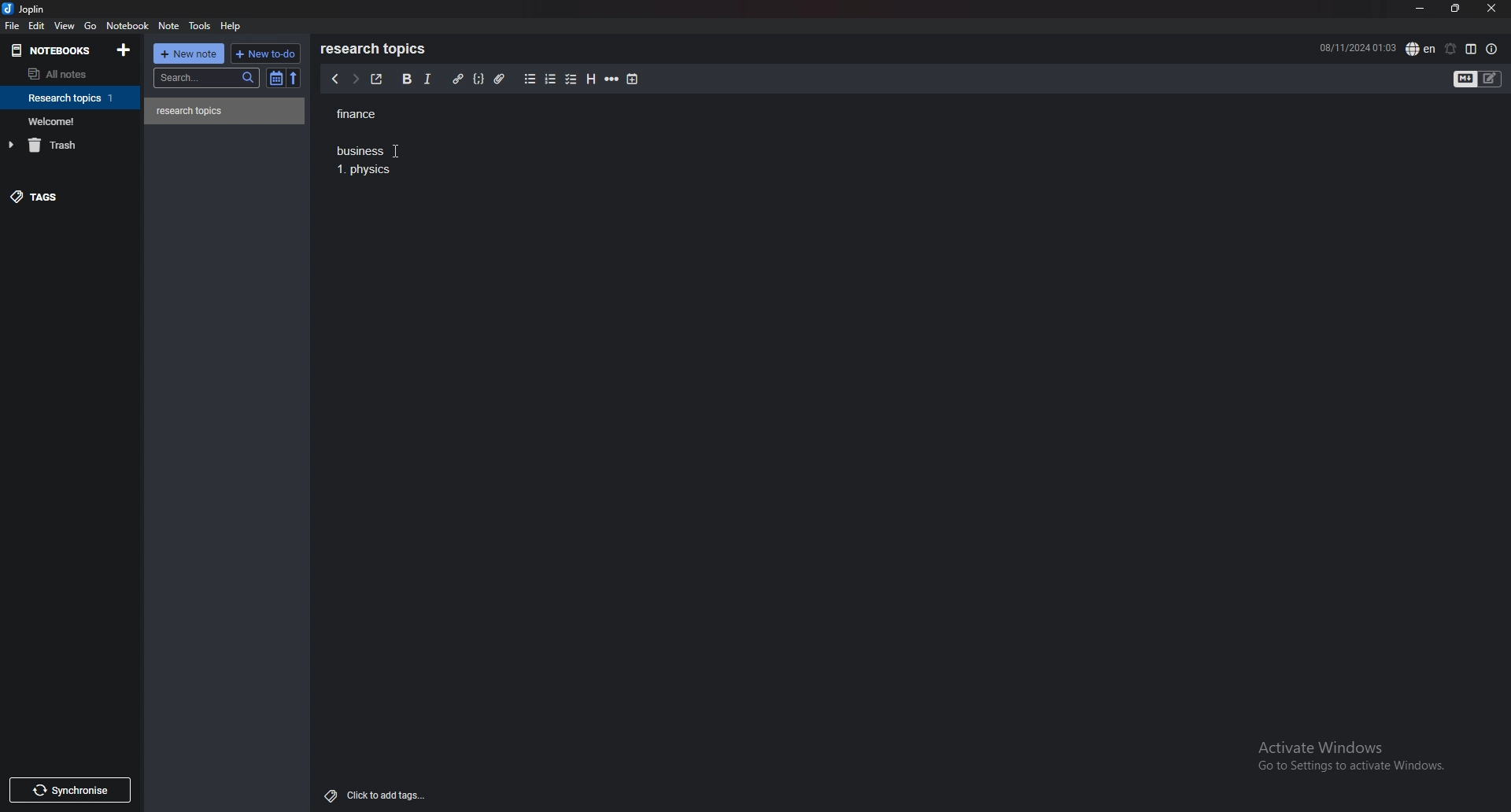 The height and width of the screenshot is (812, 1511). What do you see at coordinates (225, 111) in the screenshot?
I see `note` at bounding box center [225, 111].